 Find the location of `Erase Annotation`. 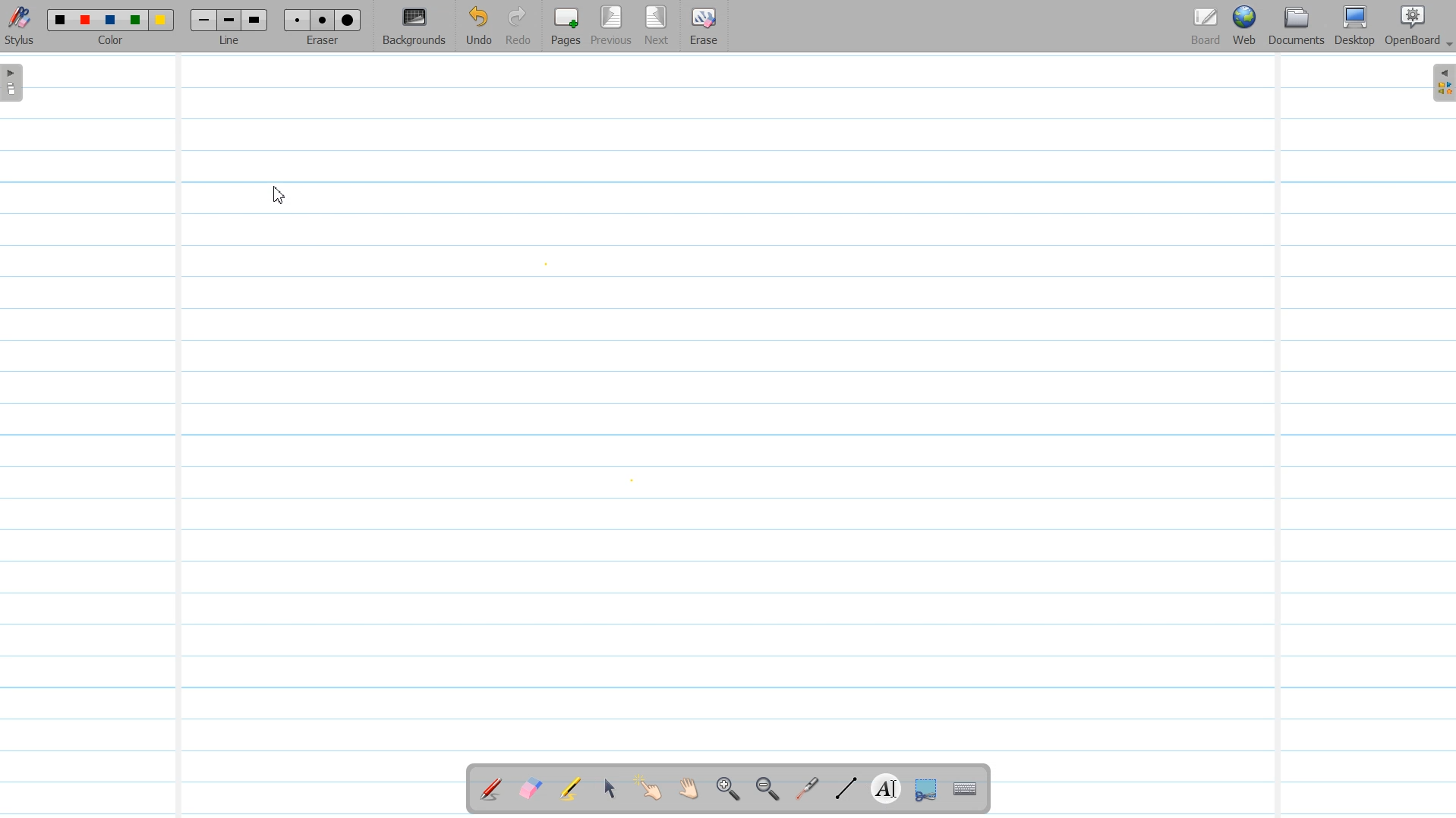

Erase Annotation is located at coordinates (532, 790).